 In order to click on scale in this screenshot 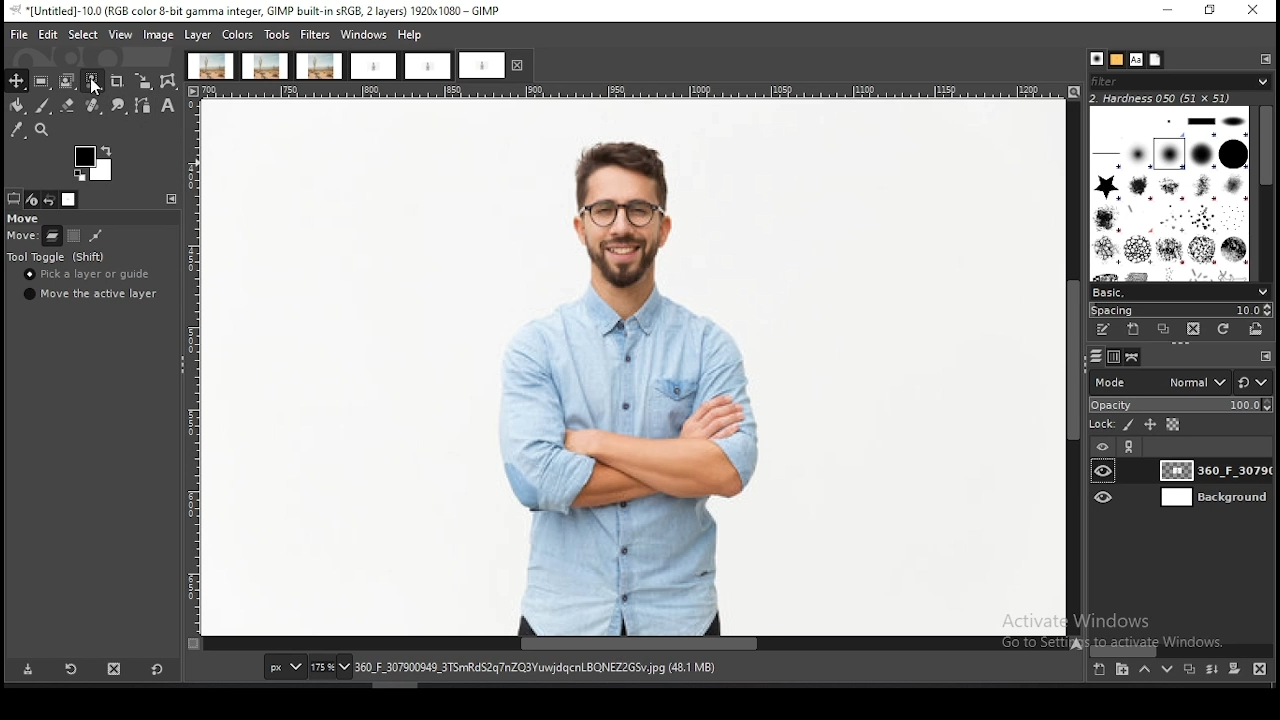, I will do `click(194, 368)`.